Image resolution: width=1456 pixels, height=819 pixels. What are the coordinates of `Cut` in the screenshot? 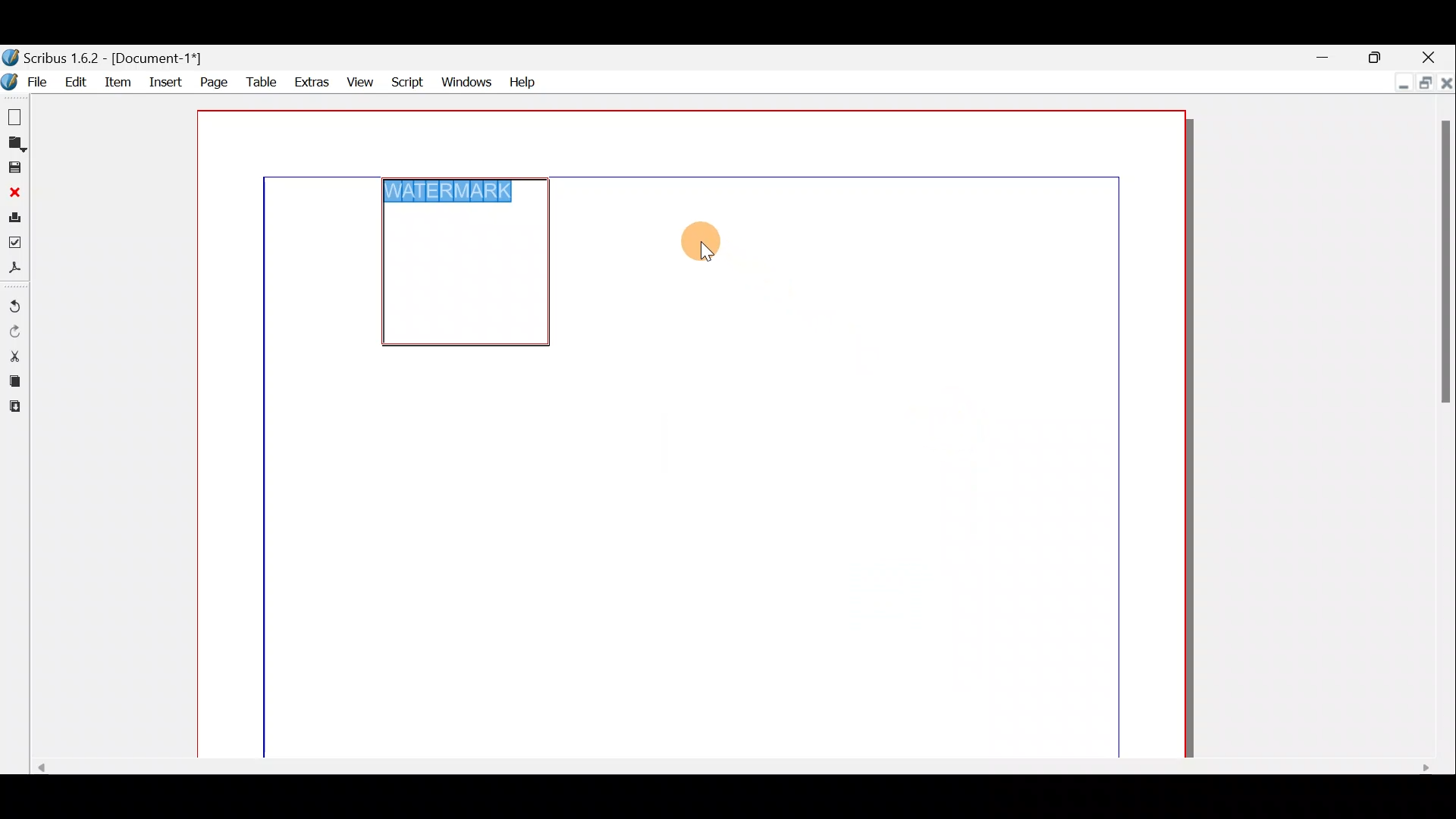 It's located at (14, 356).